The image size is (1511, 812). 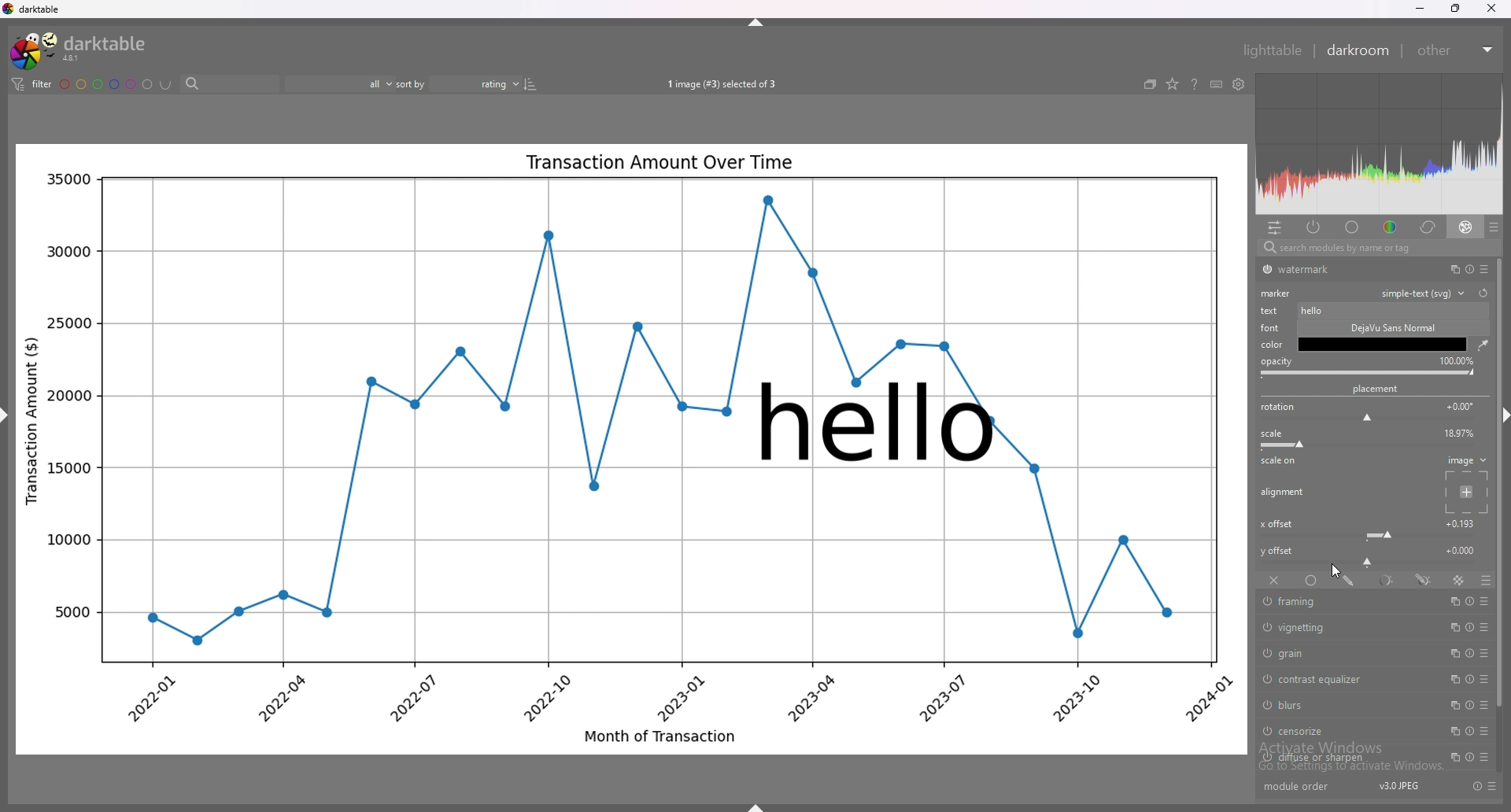 I want to click on lighttable, so click(x=1270, y=49).